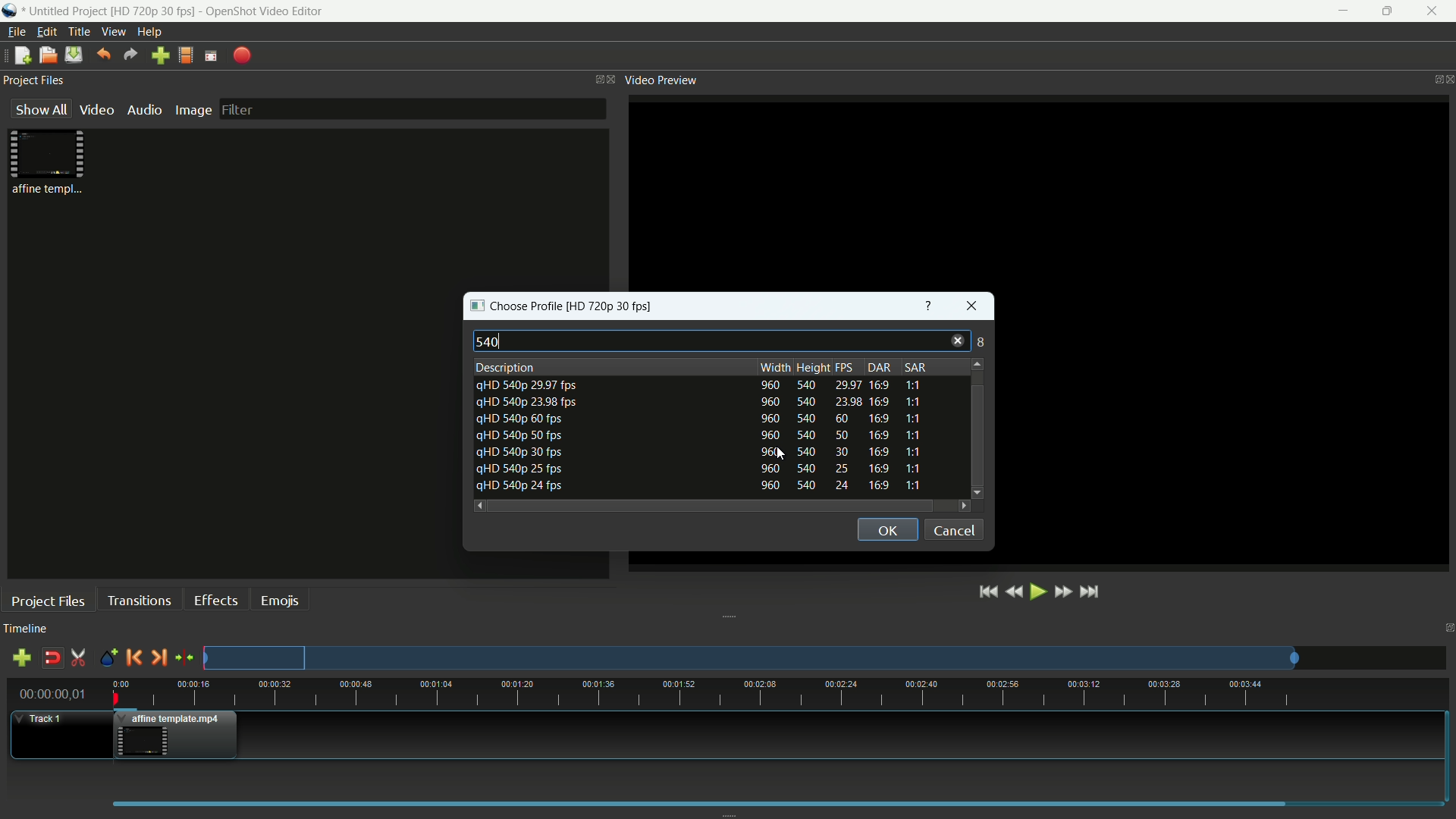 Image resolution: width=1456 pixels, height=819 pixels. What do you see at coordinates (781, 692) in the screenshot?
I see `time` at bounding box center [781, 692].